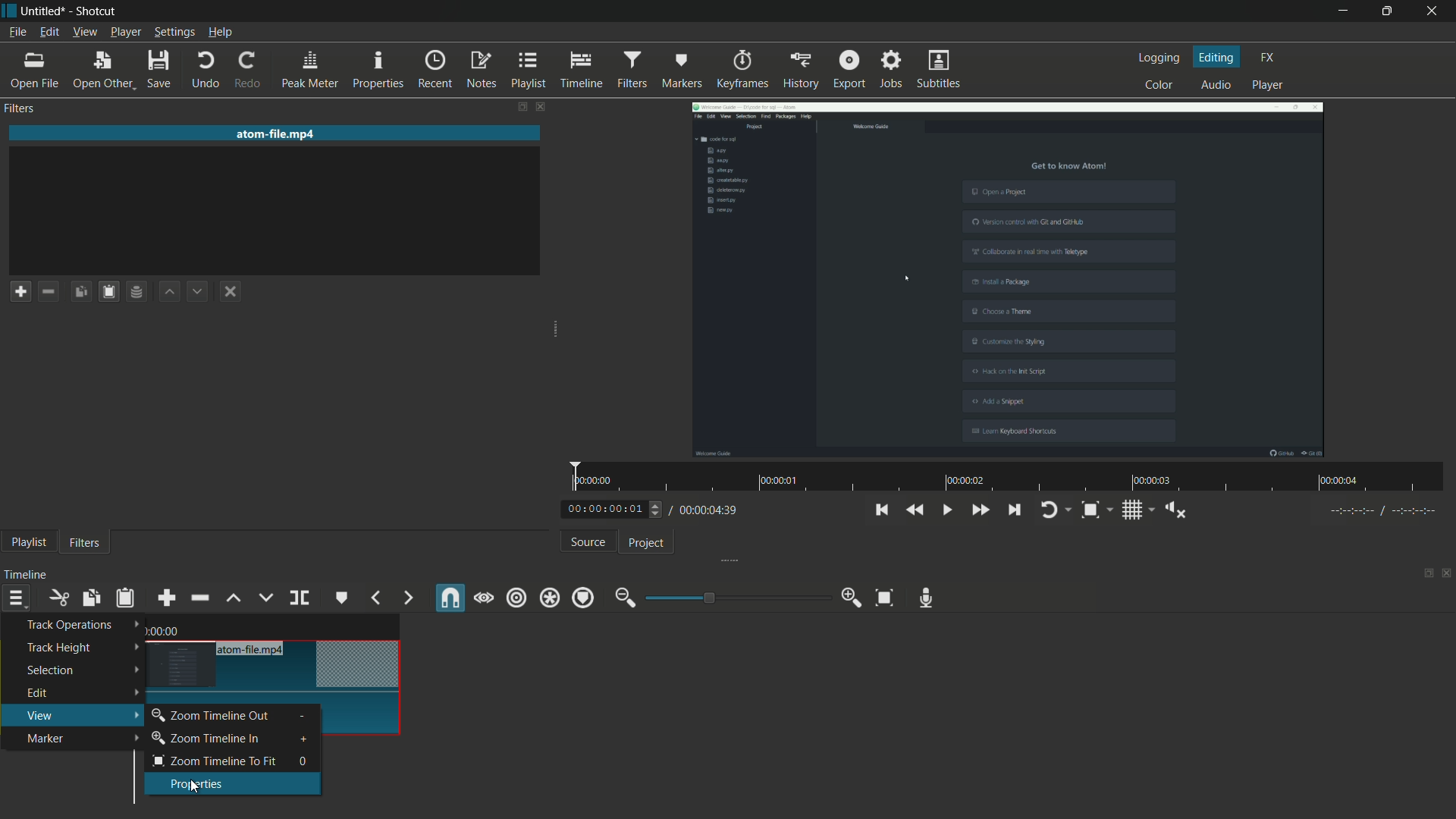  What do you see at coordinates (891, 68) in the screenshot?
I see `jobs` at bounding box center [891, 68].